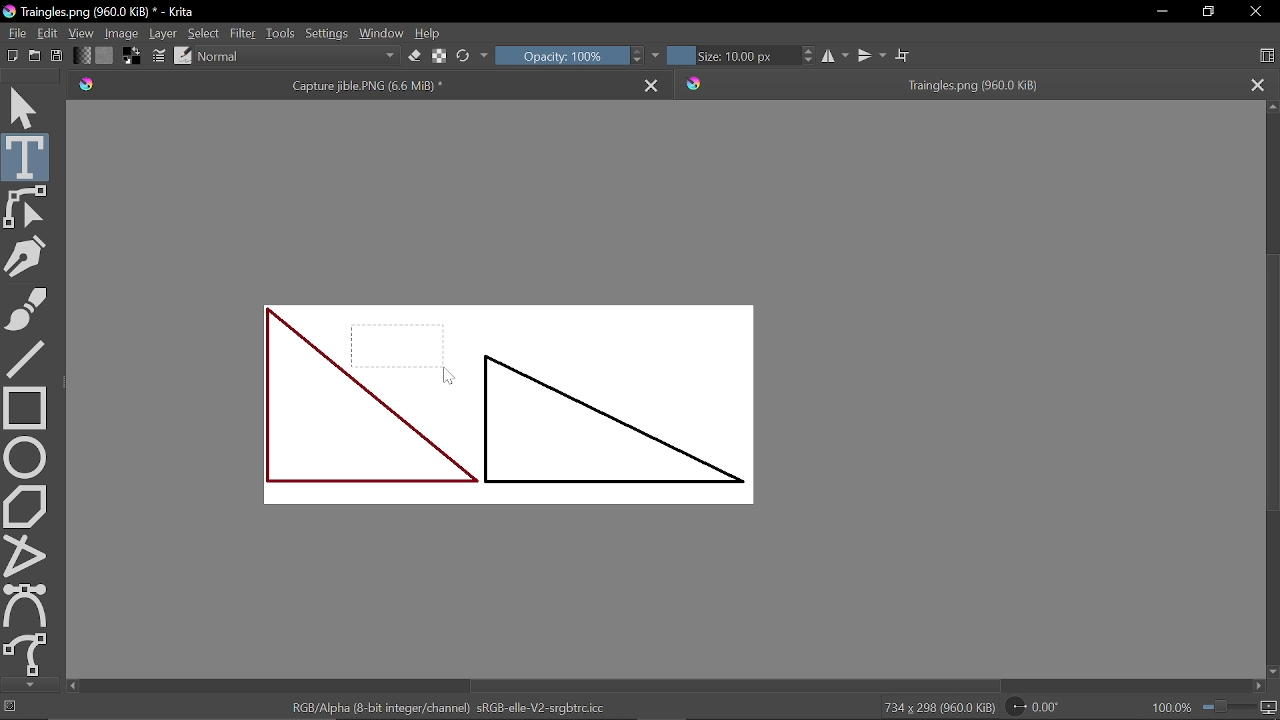  I want to click on Move down, so click(1272, 672).